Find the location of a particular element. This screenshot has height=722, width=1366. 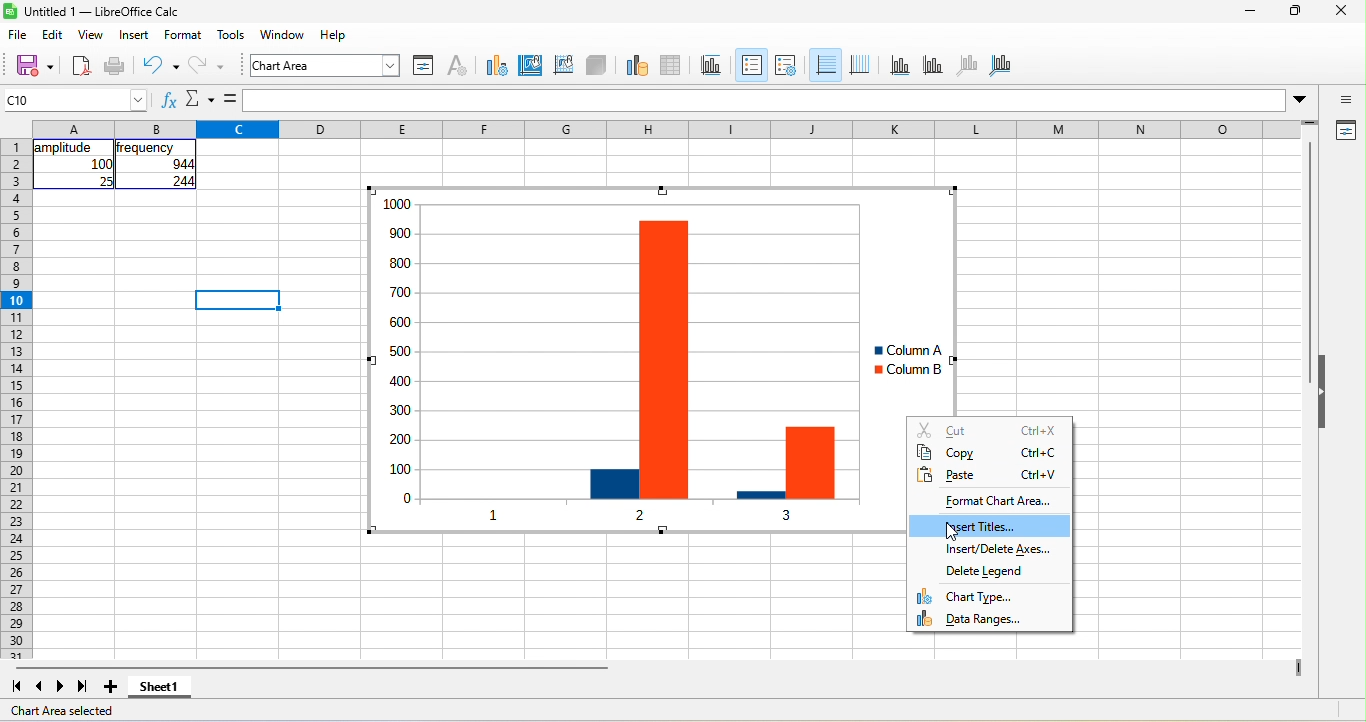

044 is located at coordinates (183, 164).